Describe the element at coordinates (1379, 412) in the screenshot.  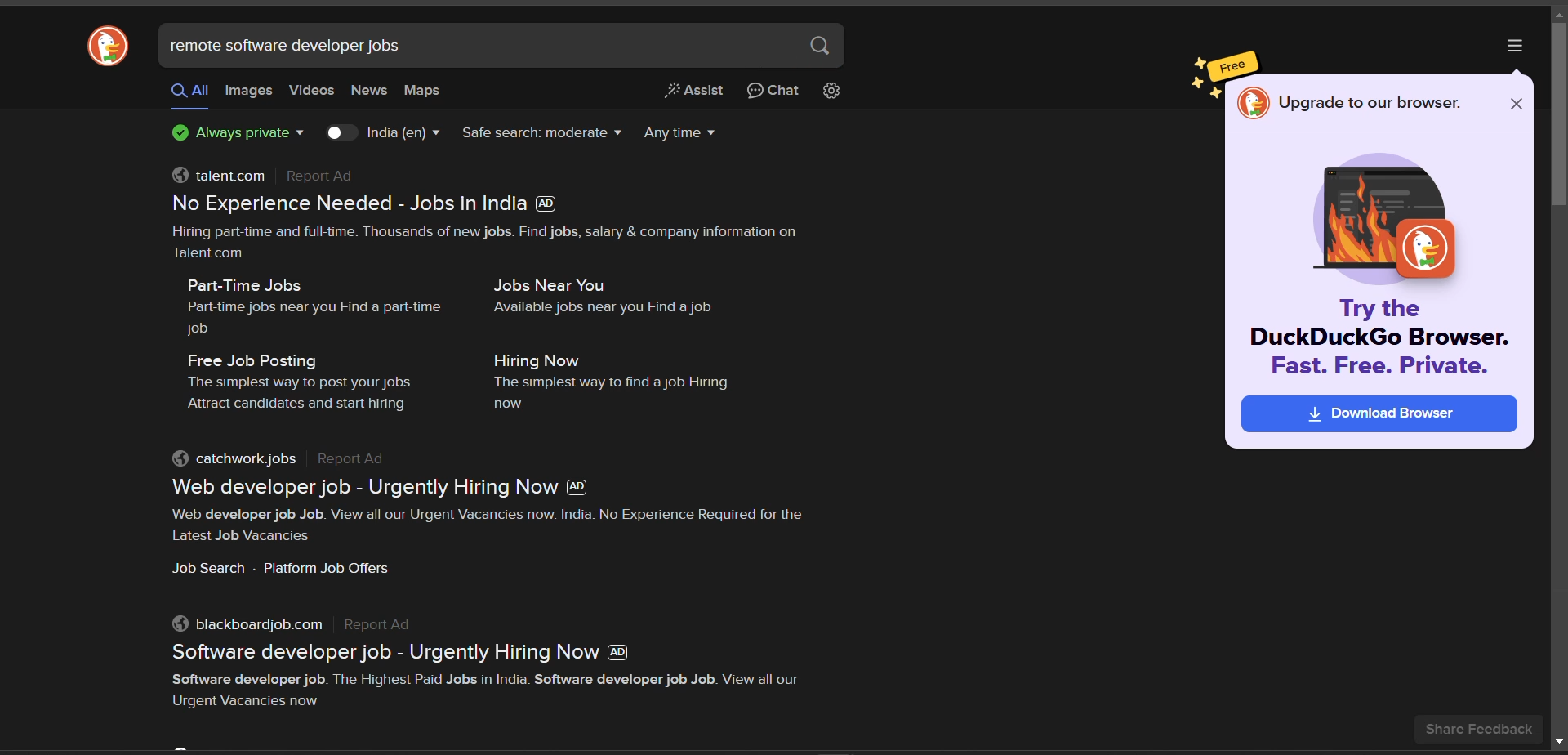
I see `DownlosdBrowser` at that location.